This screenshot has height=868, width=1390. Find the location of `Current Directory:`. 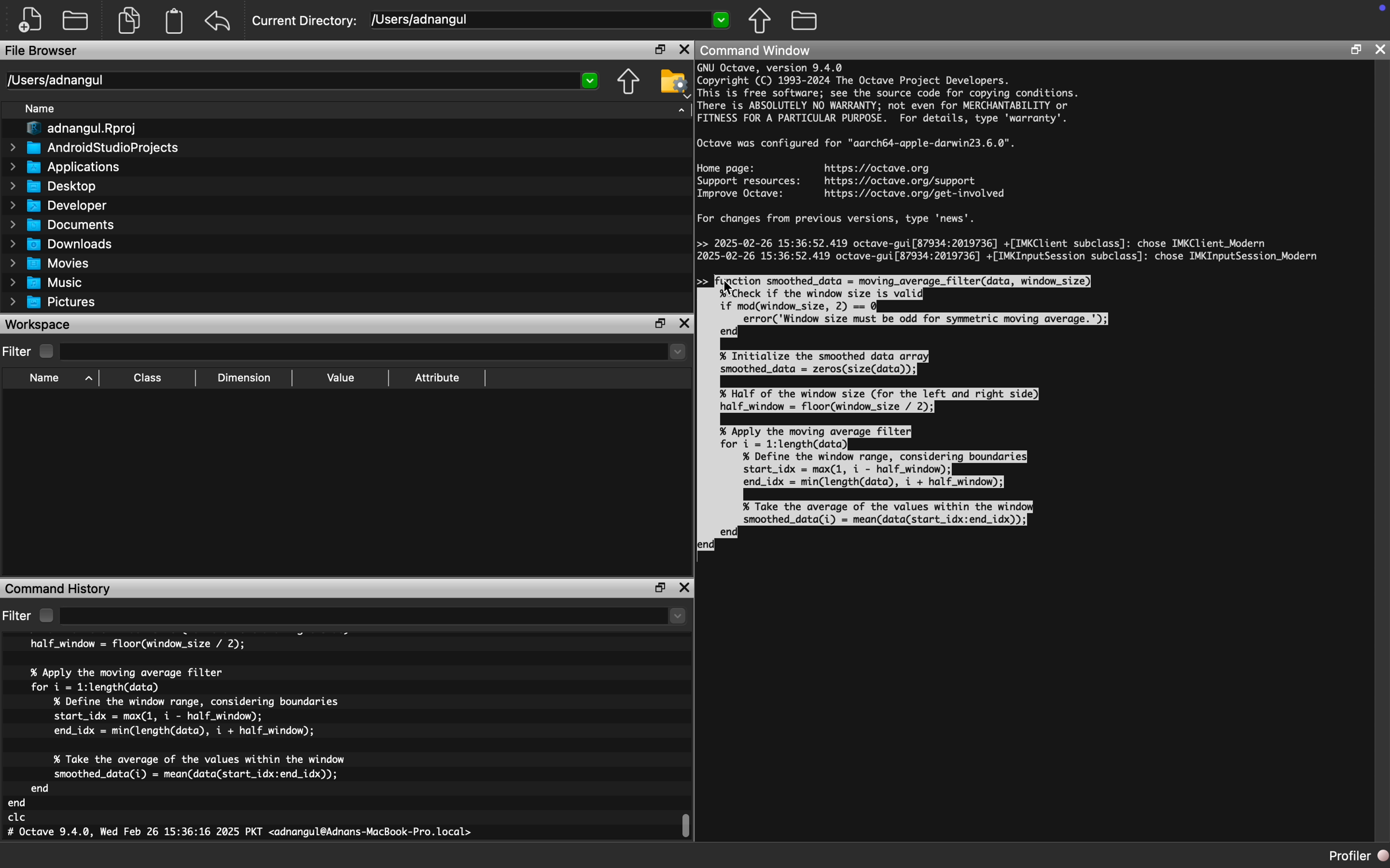

Current Directory: is located at coordinates (307, 22).